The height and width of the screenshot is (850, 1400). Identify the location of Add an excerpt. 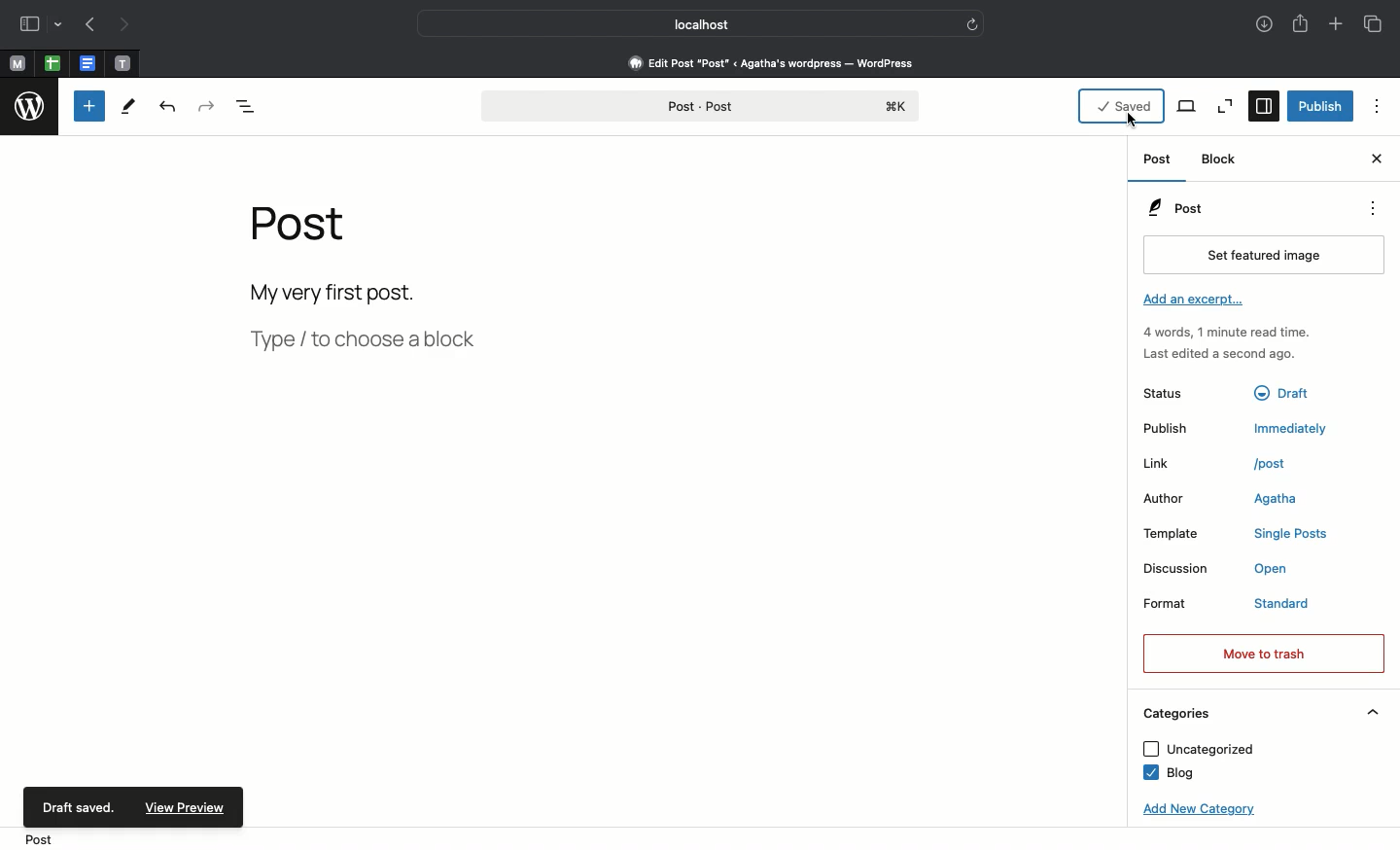
(1197, 301).